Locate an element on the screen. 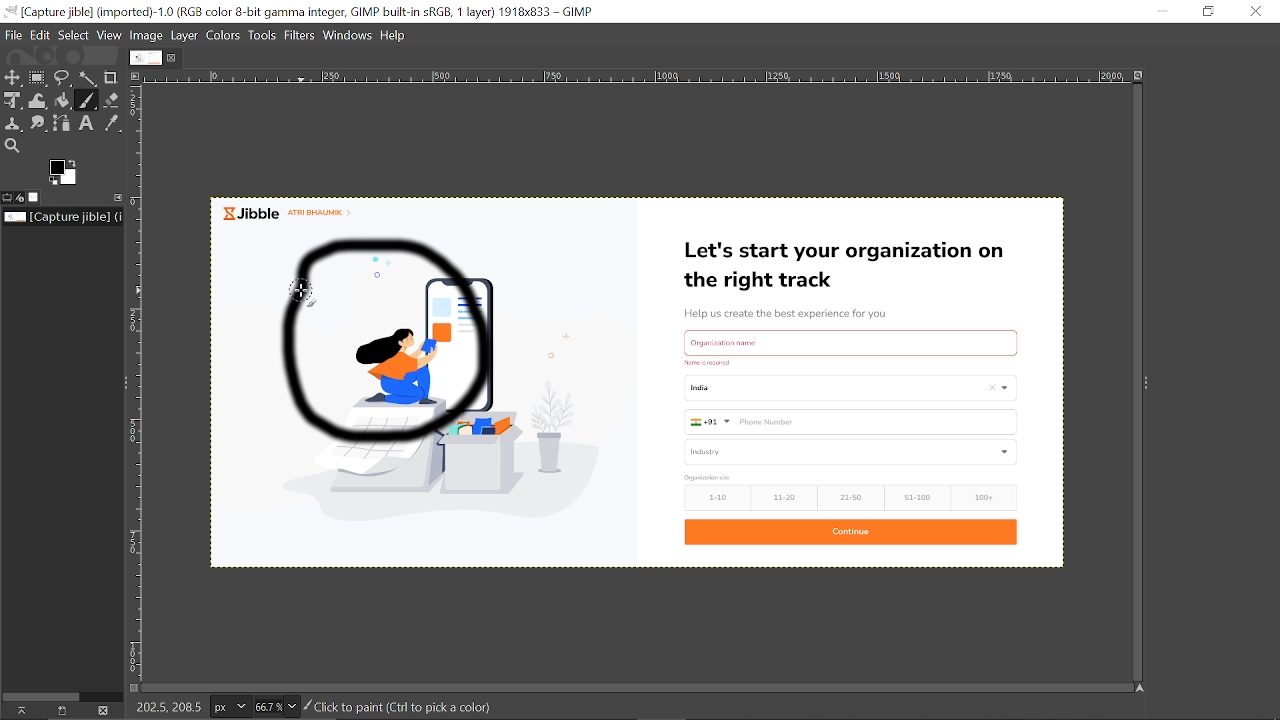 The height and width of the screenshot is (720, 1280). Access this image menu is located at coordinates (138, 75).